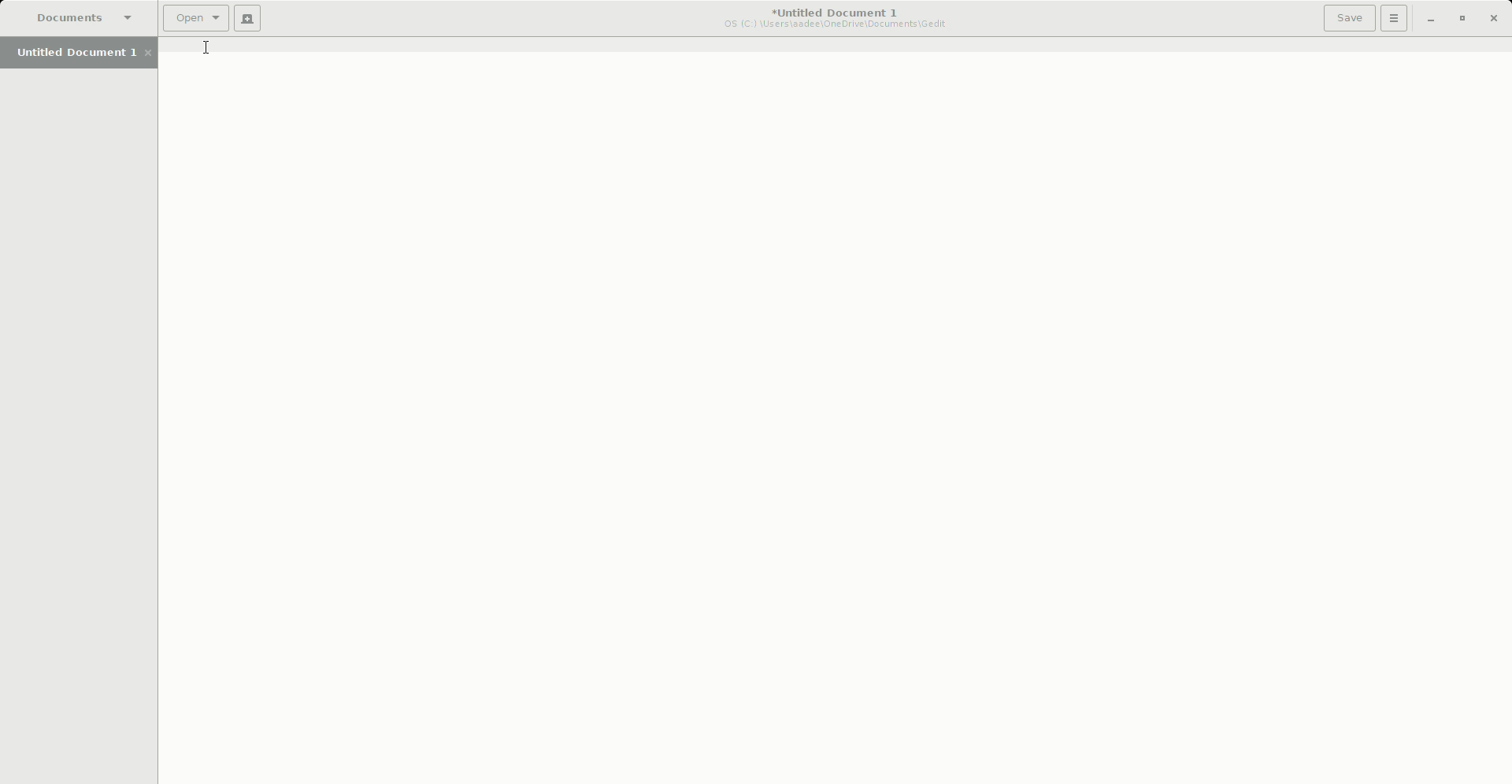 The image size is (1512, 784). Describe the element at coordinates (1460, 20) in the screenshot. I see `Restore` at that location.